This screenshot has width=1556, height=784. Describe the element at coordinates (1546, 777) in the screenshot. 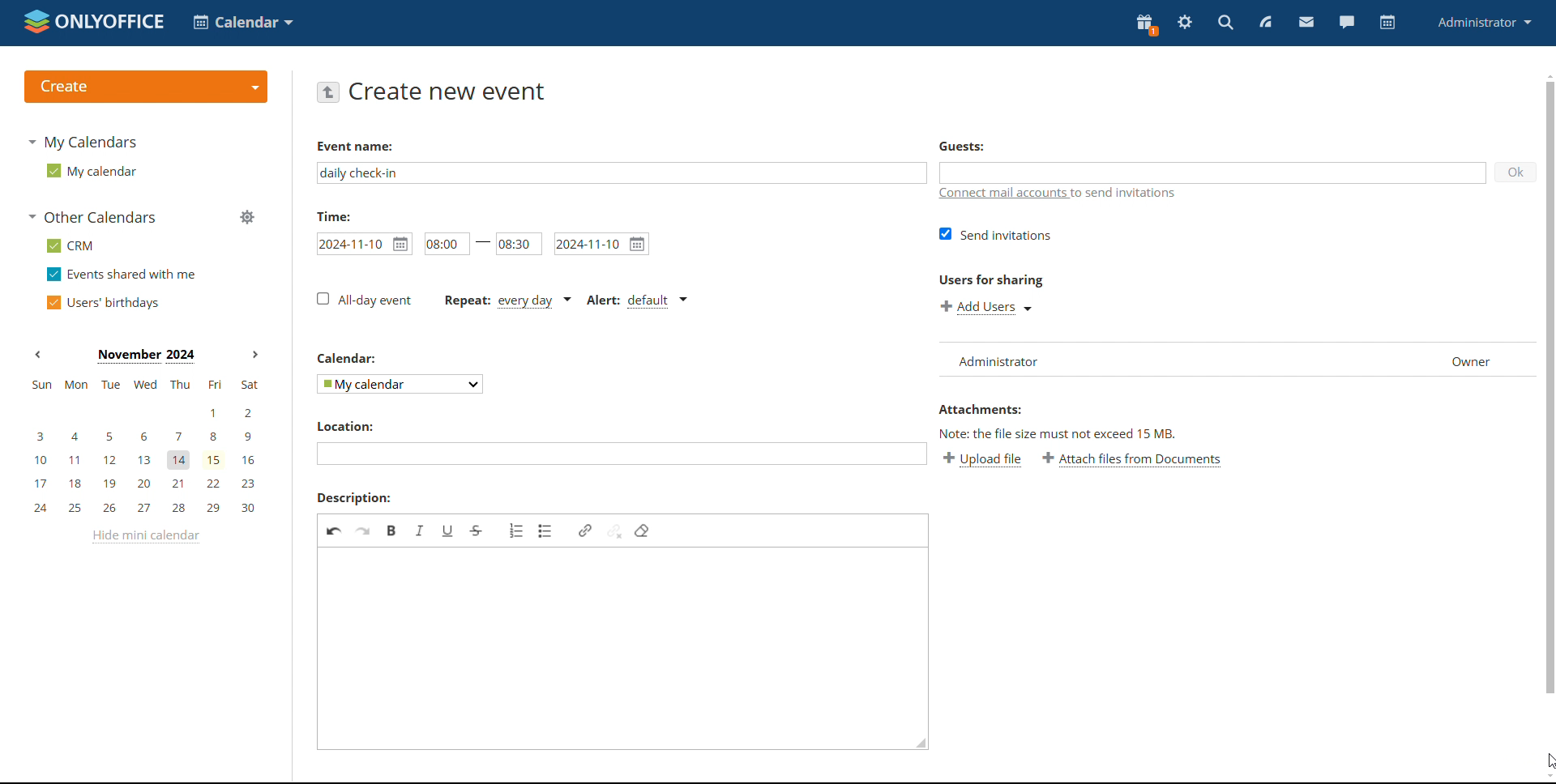

I see `scroll down` at that location.